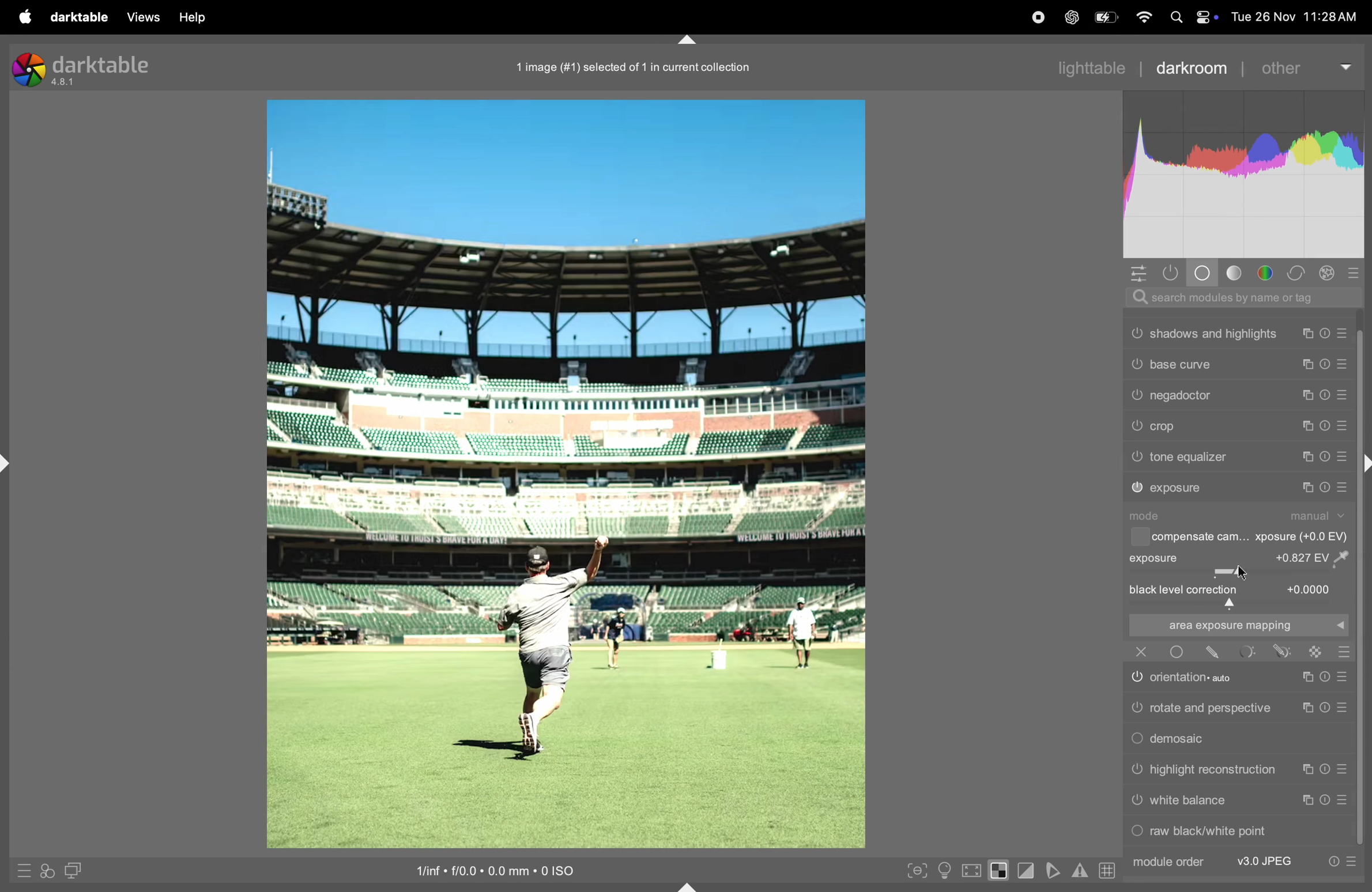 This screenshot has width=1372, height=892. What do you see at coordinates (1141, 651) in the screenshot?
I see `close` at bounding box center [1141, 651].